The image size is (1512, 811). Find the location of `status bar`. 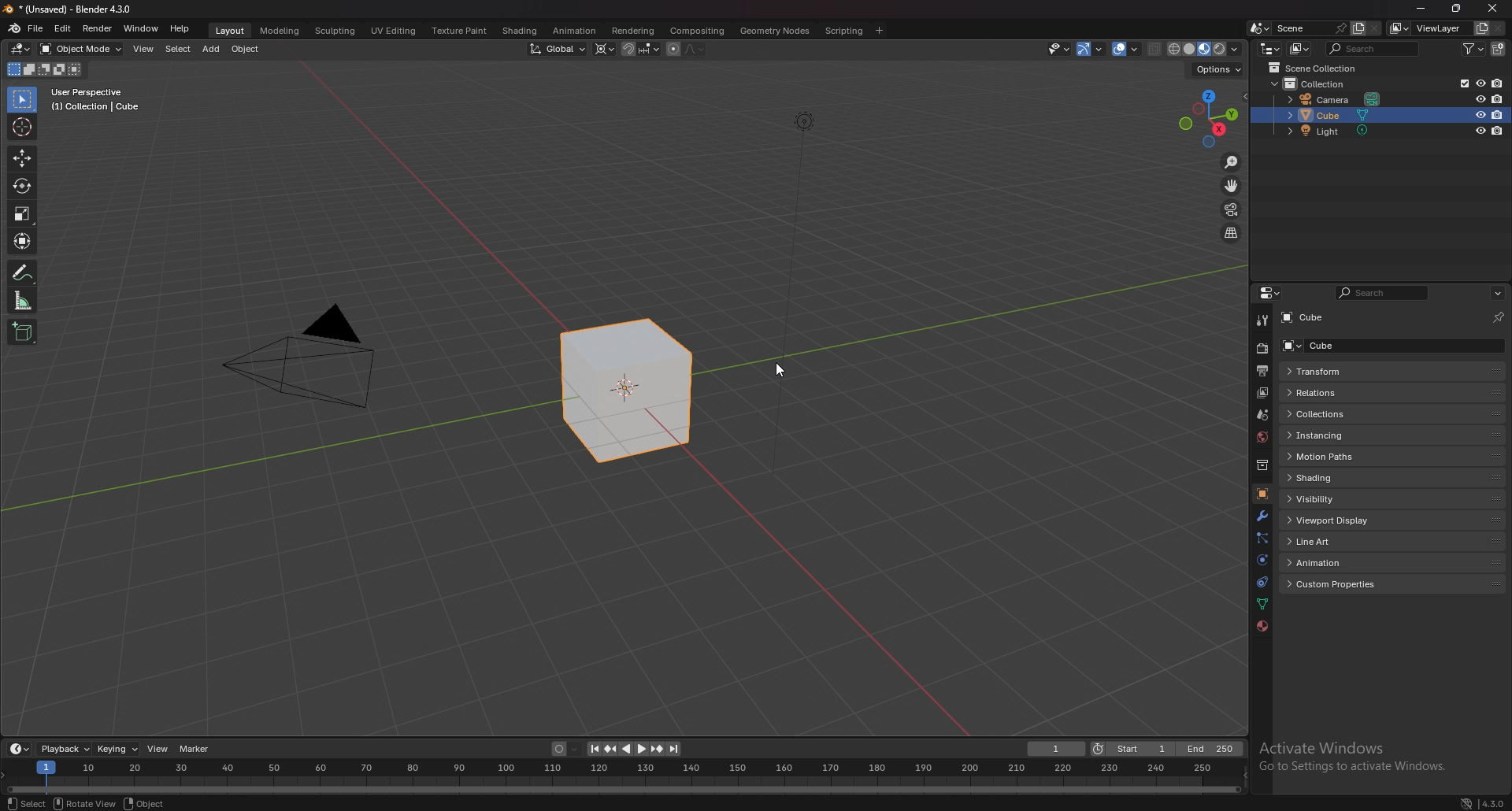

status bar is located at coordinates (370, 804).